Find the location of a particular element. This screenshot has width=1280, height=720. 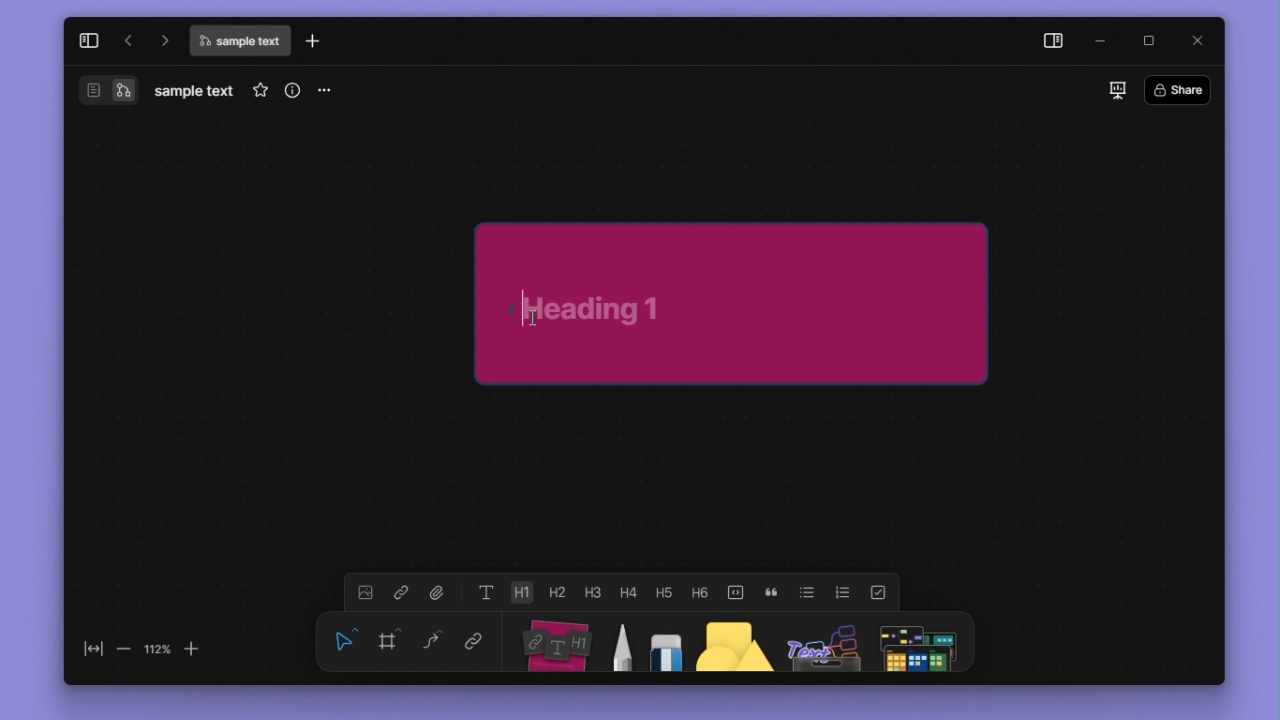

shape is located at coordinates (734, 642).